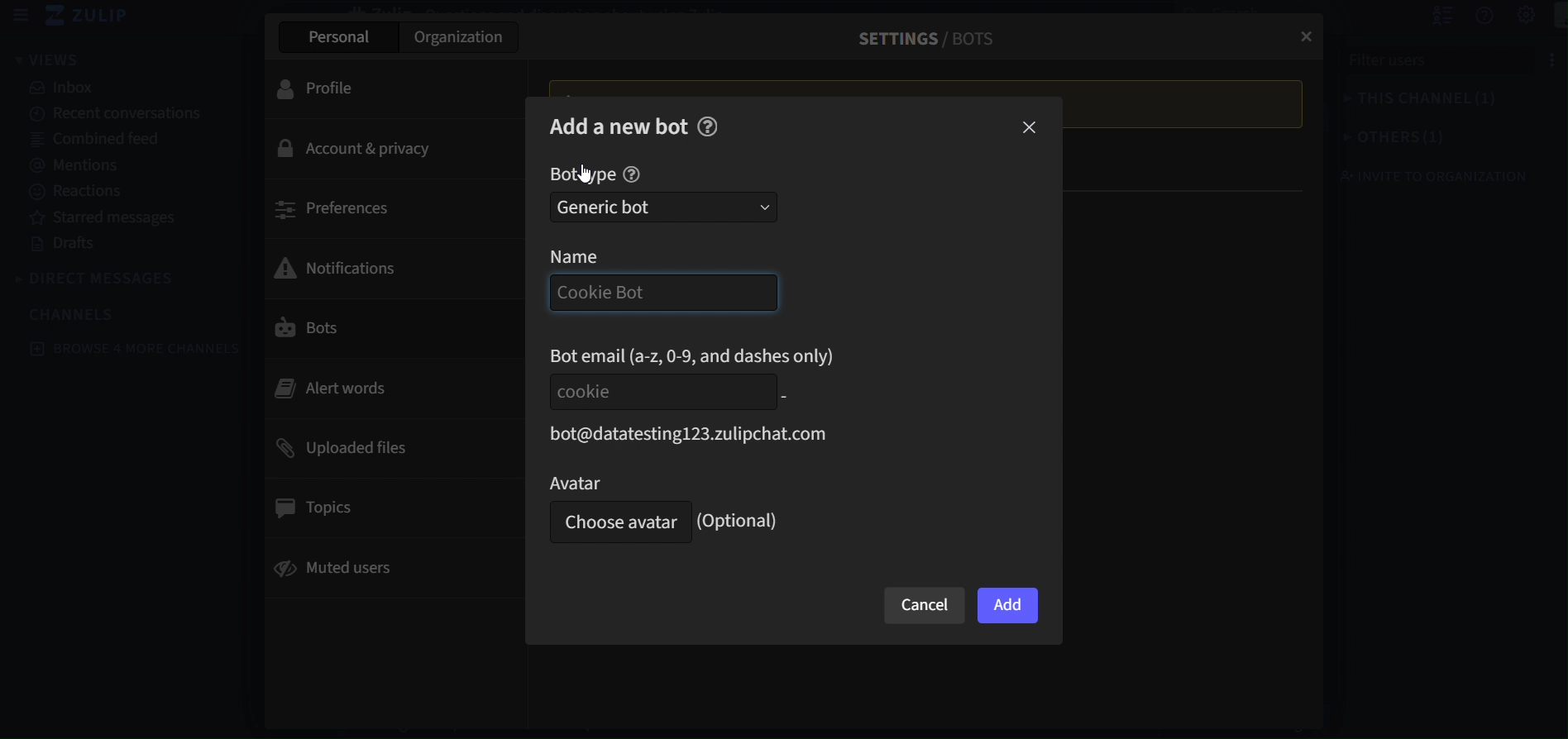 Image resolution: width=1568 pixels, height=739 pixels. What do you see at coordinates (107, 216) in the screenshot?
I see `starred messages` at bounding box center [107, 216].